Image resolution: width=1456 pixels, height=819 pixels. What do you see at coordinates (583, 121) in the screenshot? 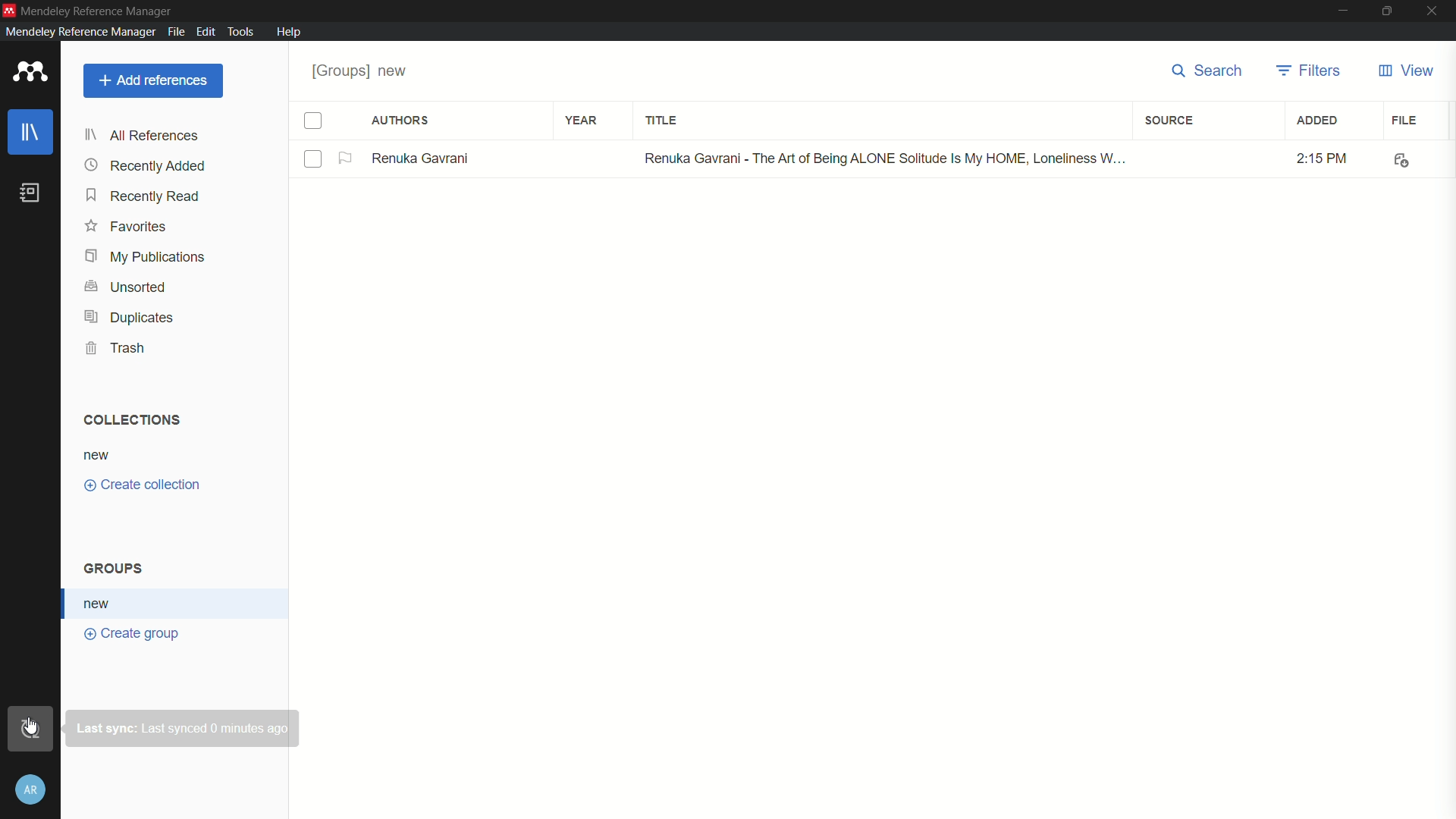
I see `year` at bounding box center [583, 121].